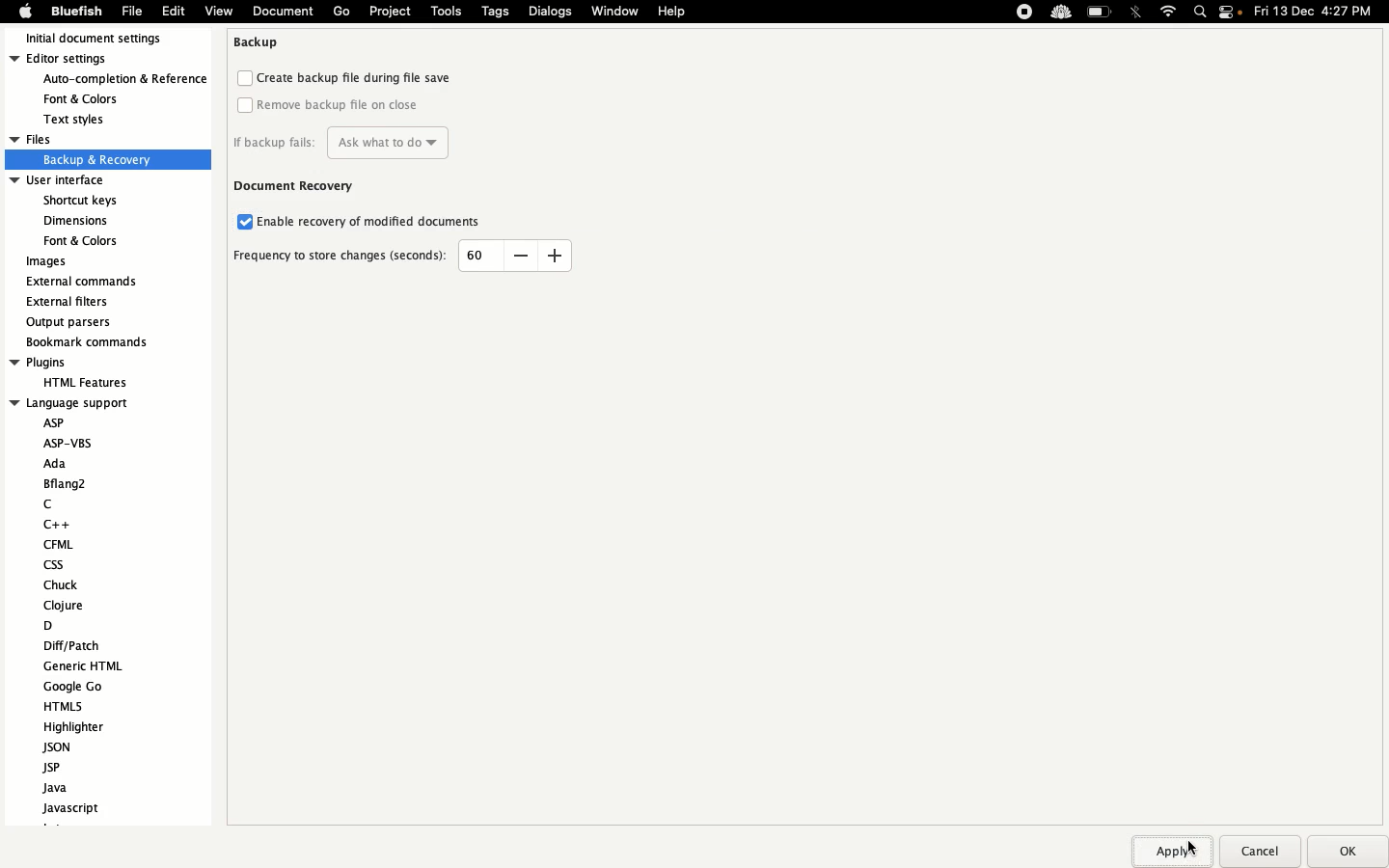  I want to click on Help, so click(670, 13).